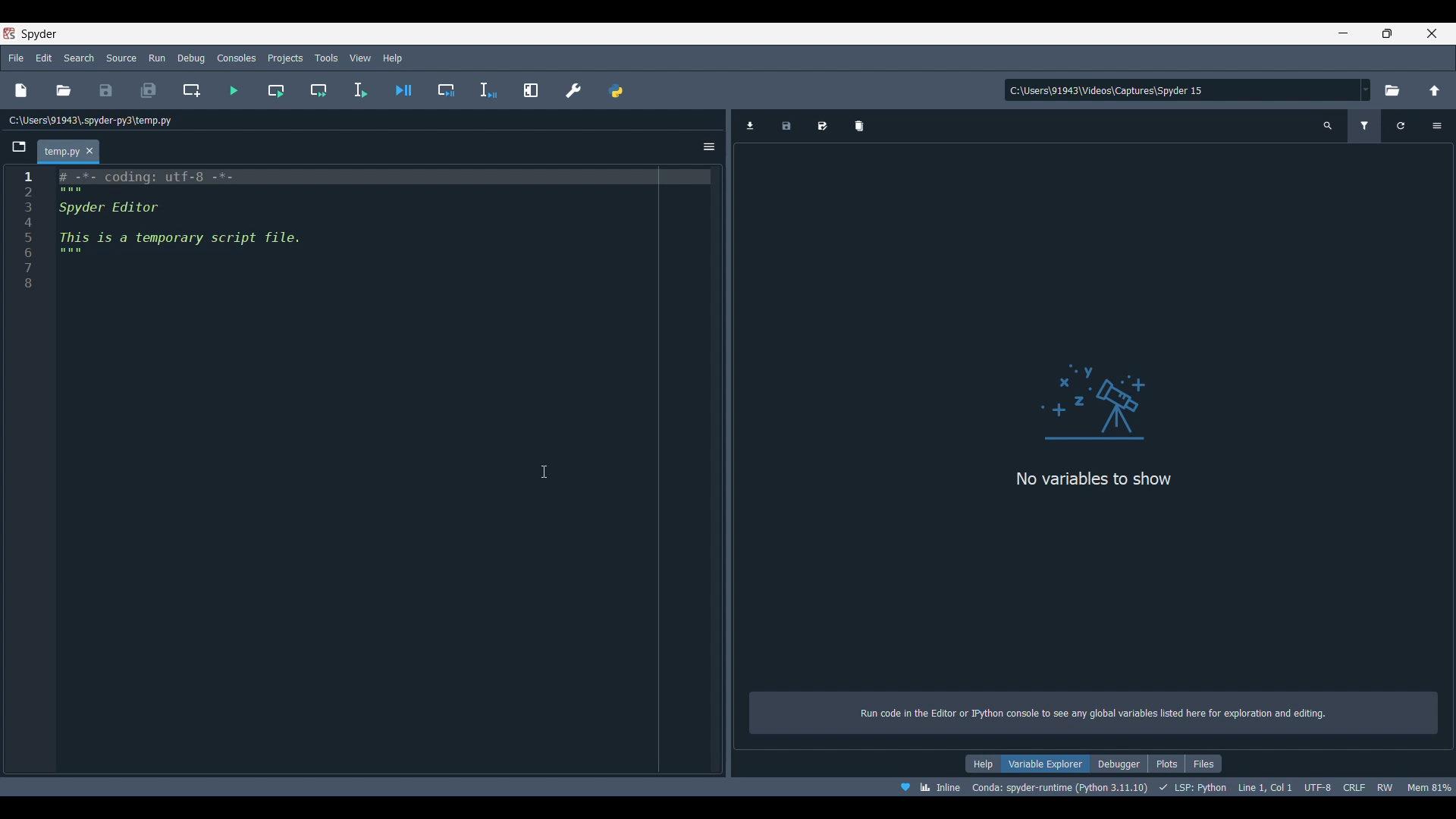 This screenshot has width=1456, height=819. What do you see at coordinates (1435, 90) in the screenshot?
I see `Change to parent directory` at bounding box center [1435, 90].